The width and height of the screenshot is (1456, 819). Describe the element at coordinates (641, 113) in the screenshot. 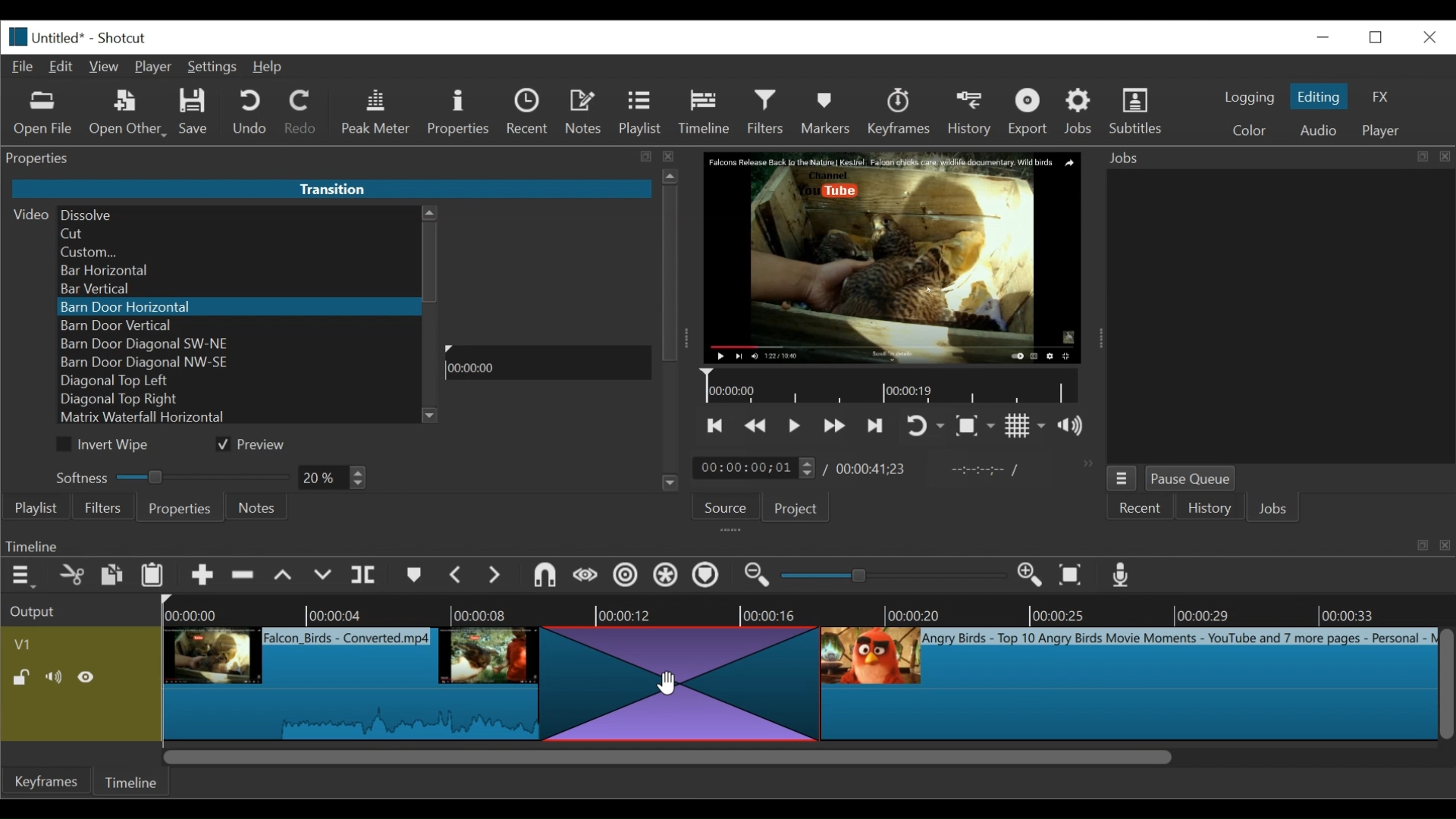

I see `Playlist` at that location.